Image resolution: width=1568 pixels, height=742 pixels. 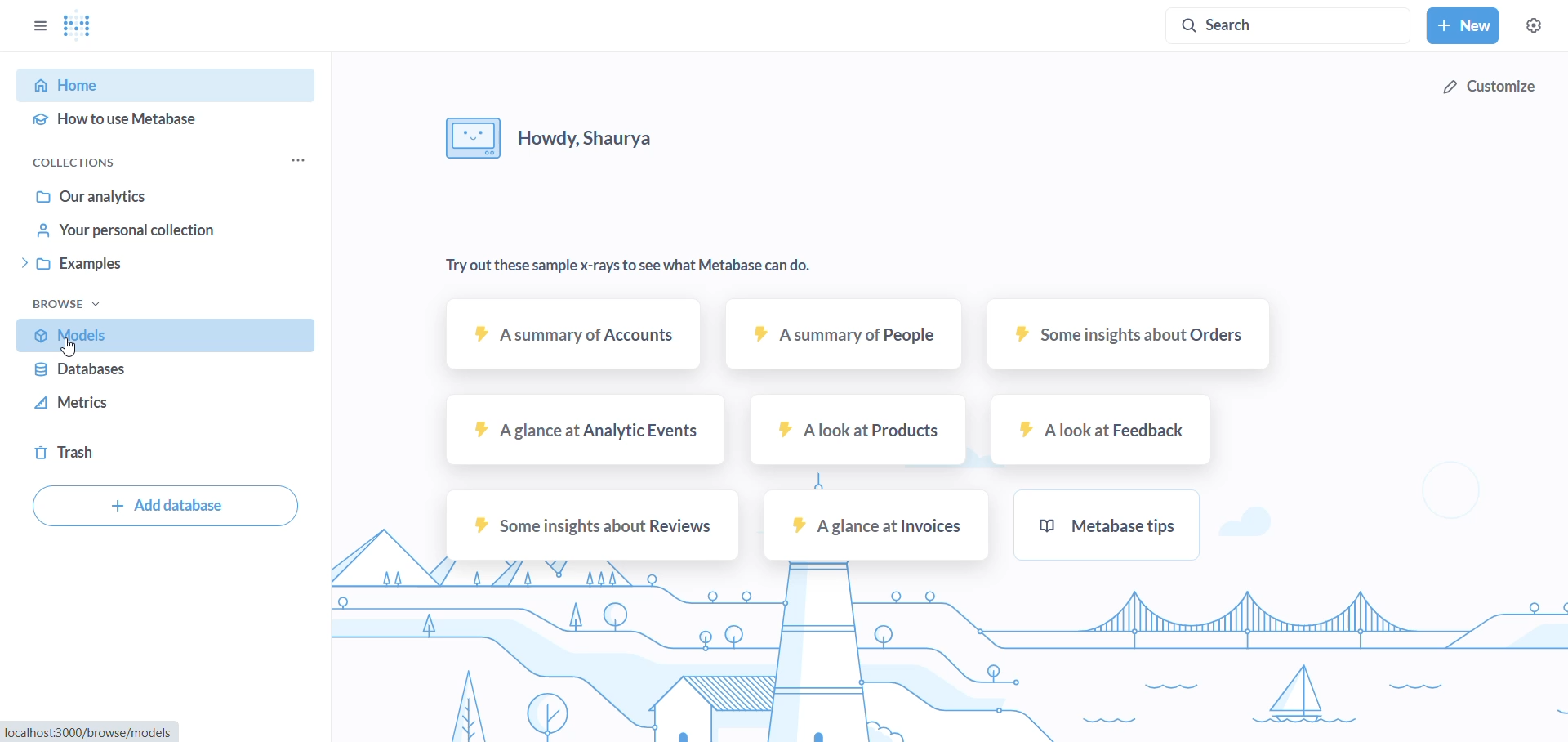 What do you see at coordinates (634, 266) in the screenshot?
I see `Try out these sample x-rays to see what Metabase can do.` at bounding box center [634, 266].